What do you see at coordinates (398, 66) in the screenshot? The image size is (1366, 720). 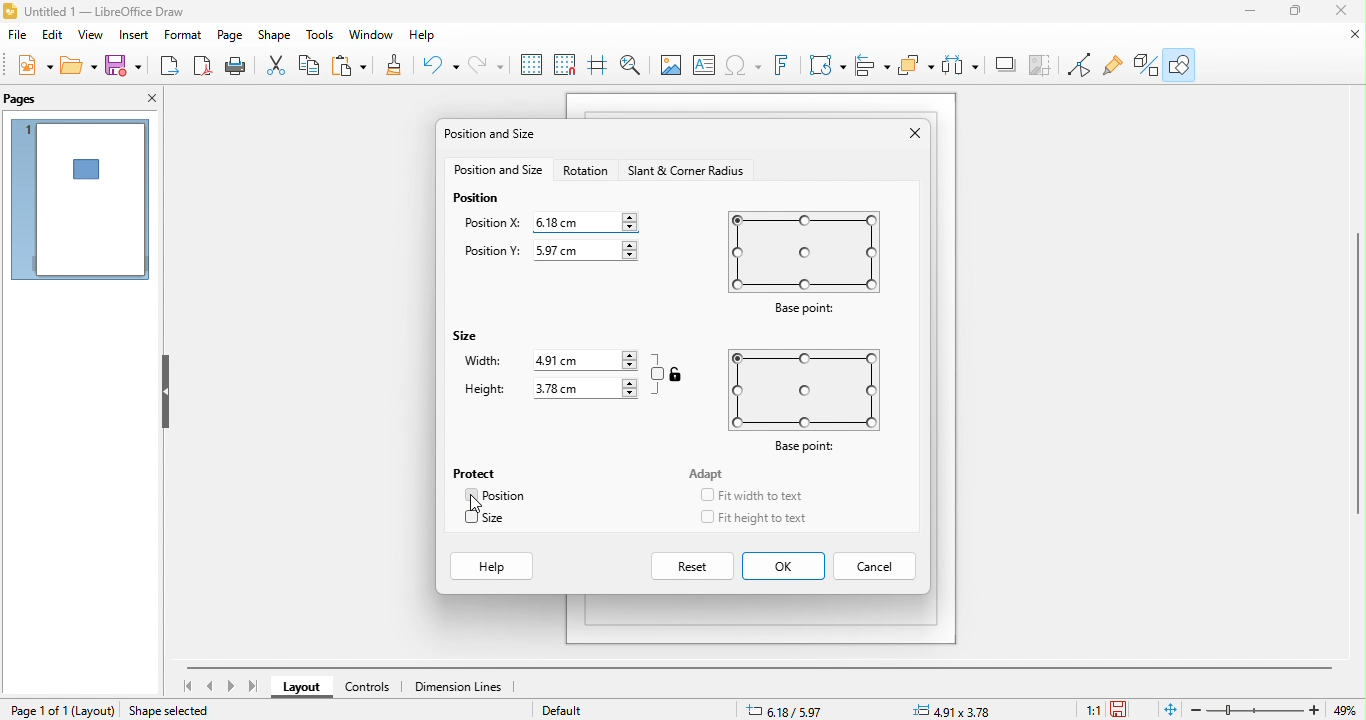 I see `clone formatting` at bounding box center [398, 66].